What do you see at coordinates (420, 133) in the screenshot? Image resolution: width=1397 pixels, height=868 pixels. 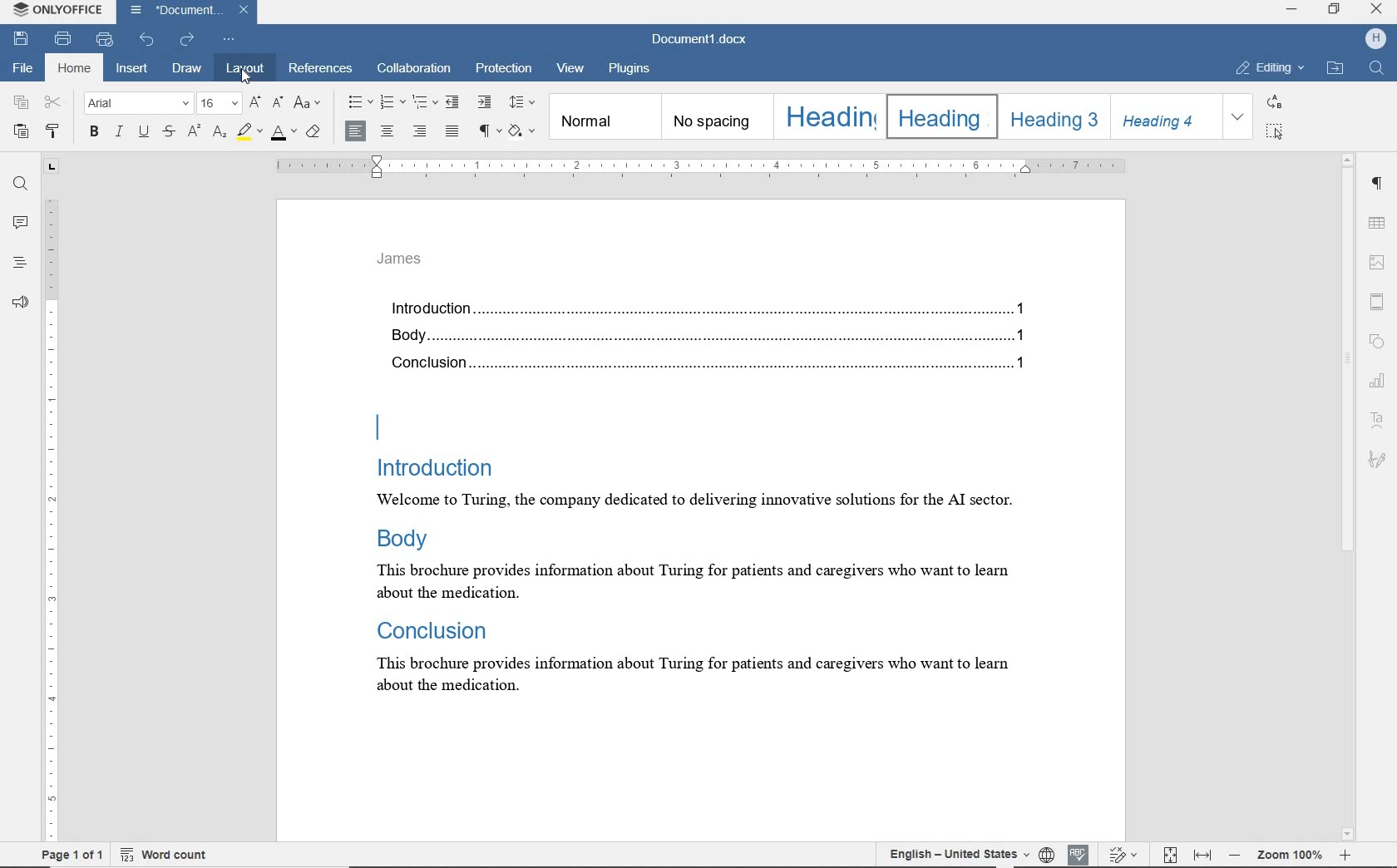 I see `align right` at bounding box center [420, 133].